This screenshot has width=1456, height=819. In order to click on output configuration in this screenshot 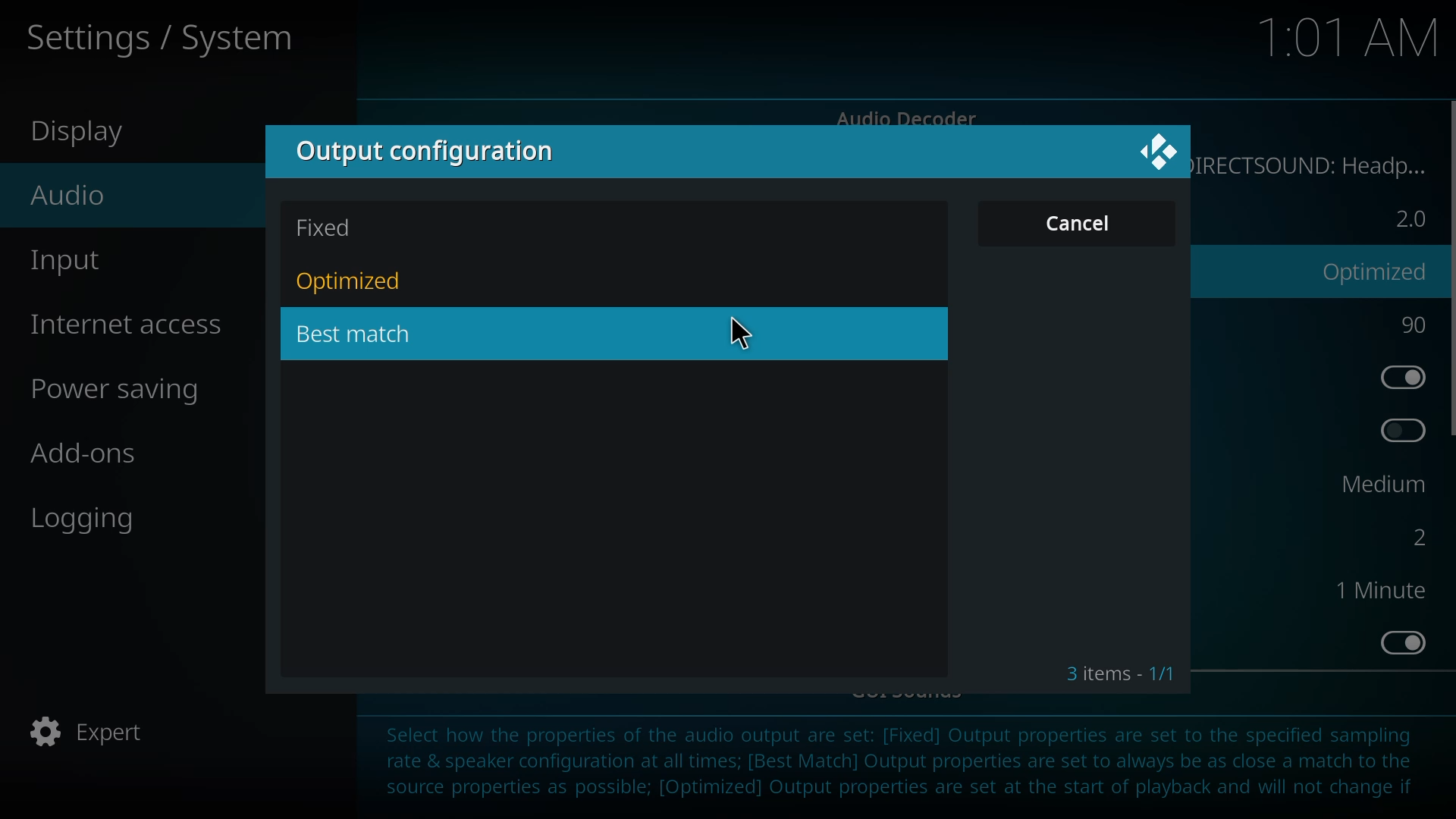, I will do `click(429, 151)`.